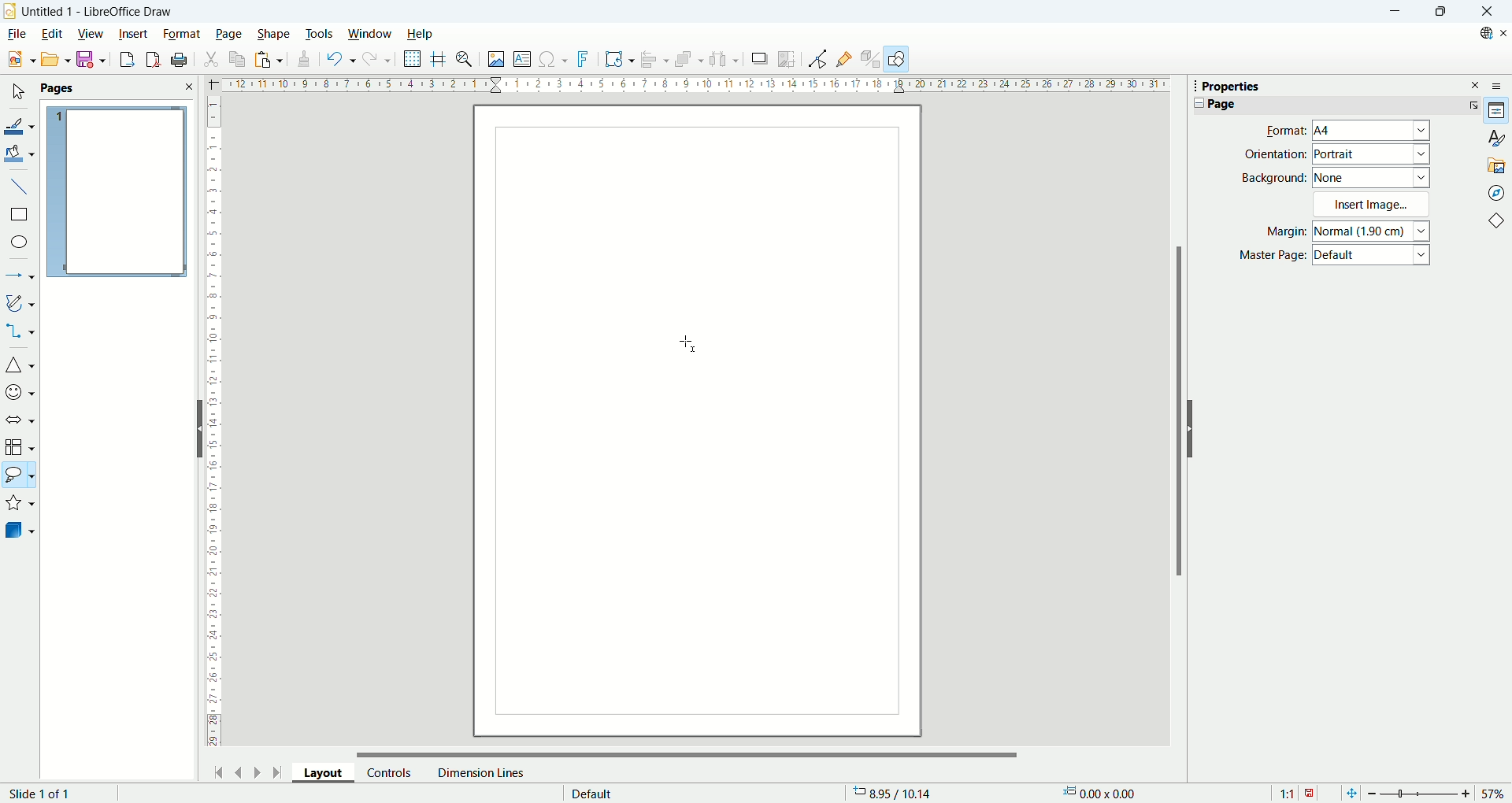  Describe the element at coordinates (213, 57) in the screenshot. I see `cut` at that location.